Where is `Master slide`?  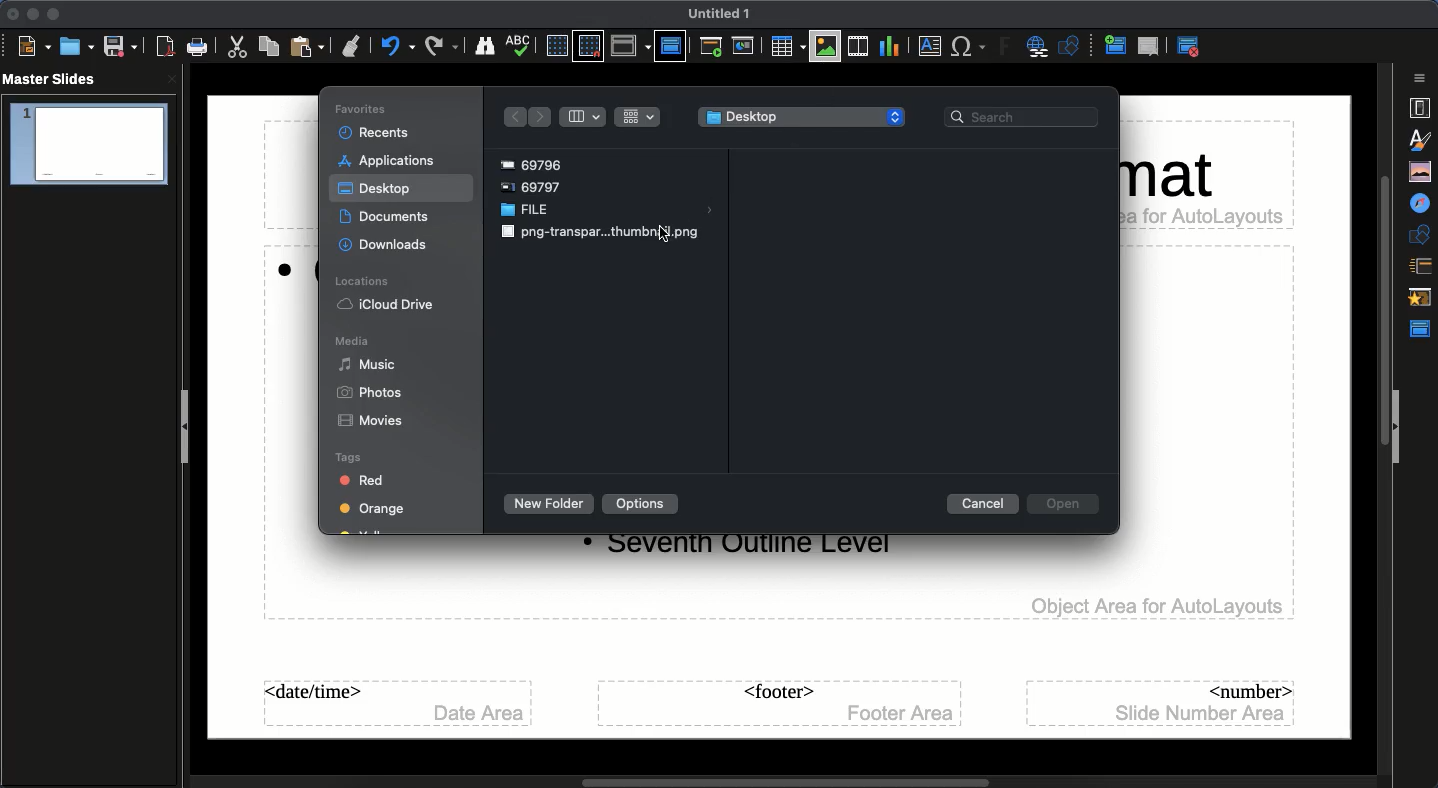
Master slide is located at coordinates (670, 45).